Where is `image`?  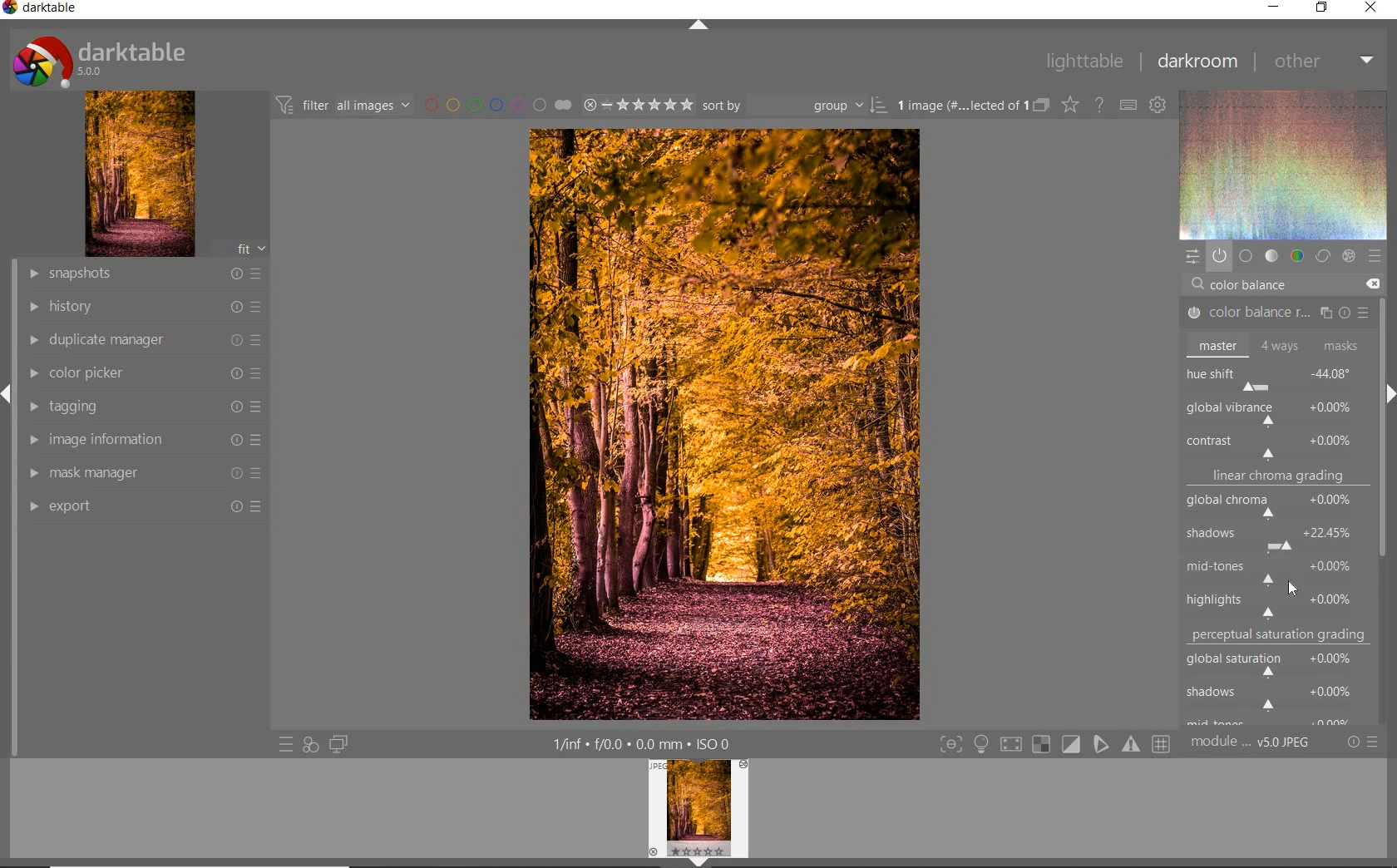 image is located at coordinates (141, 174).